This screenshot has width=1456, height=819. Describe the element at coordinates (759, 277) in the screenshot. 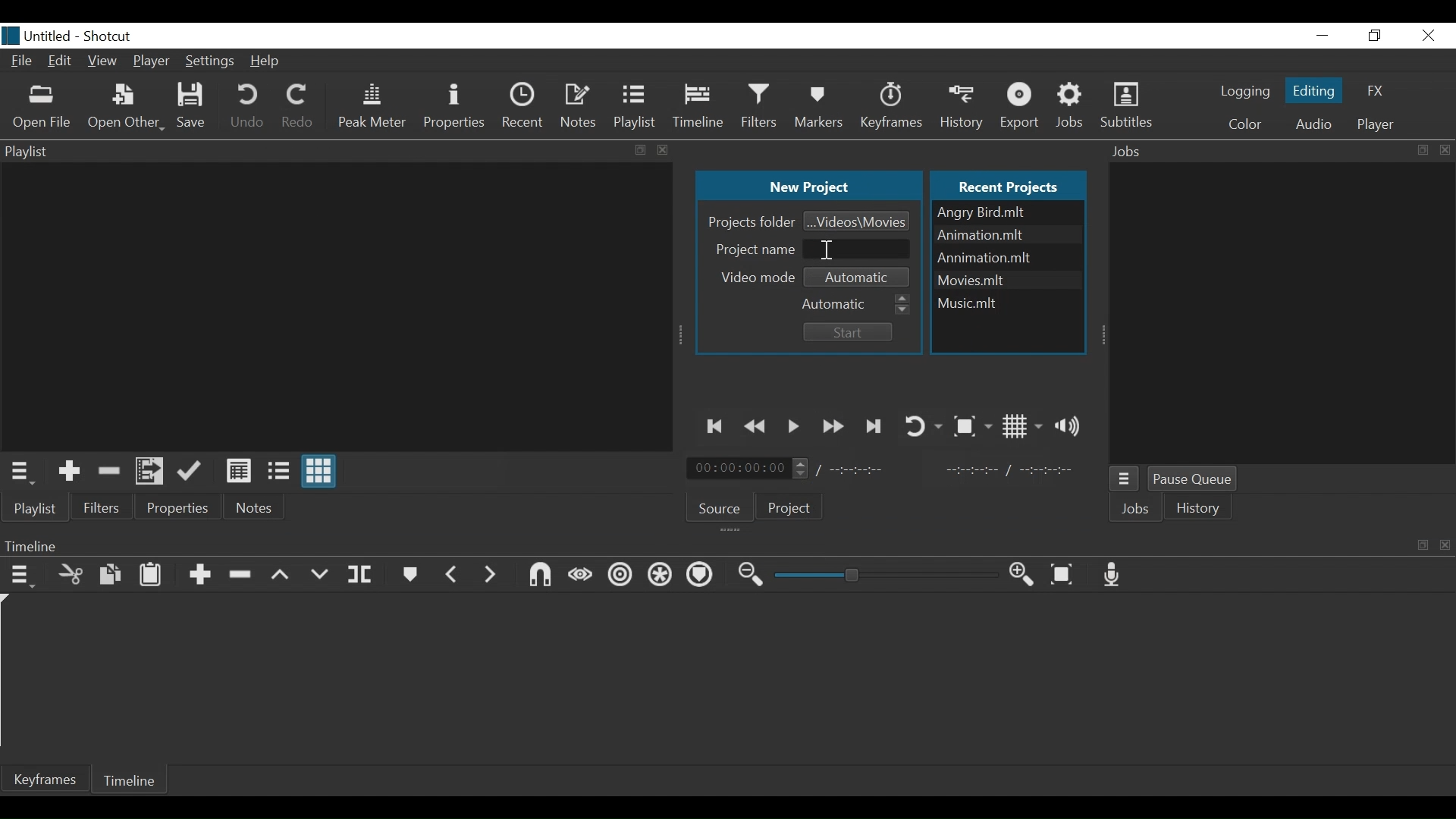

I see `Video mode` at that location.